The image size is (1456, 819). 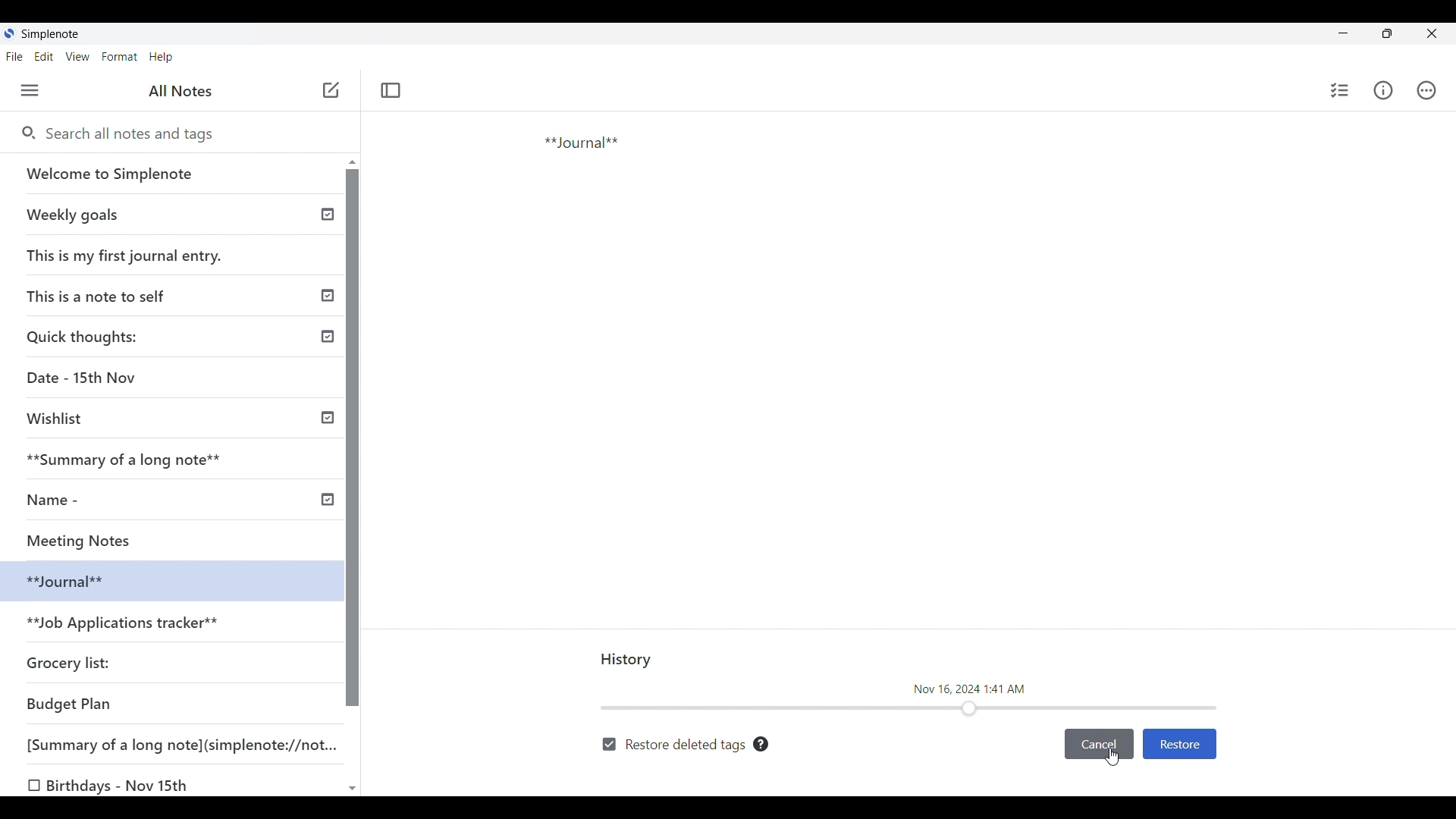 What do you see at coordinates (1426, 90) in the screenshot?
I see `Actions` at bounding box center [1426, 90].